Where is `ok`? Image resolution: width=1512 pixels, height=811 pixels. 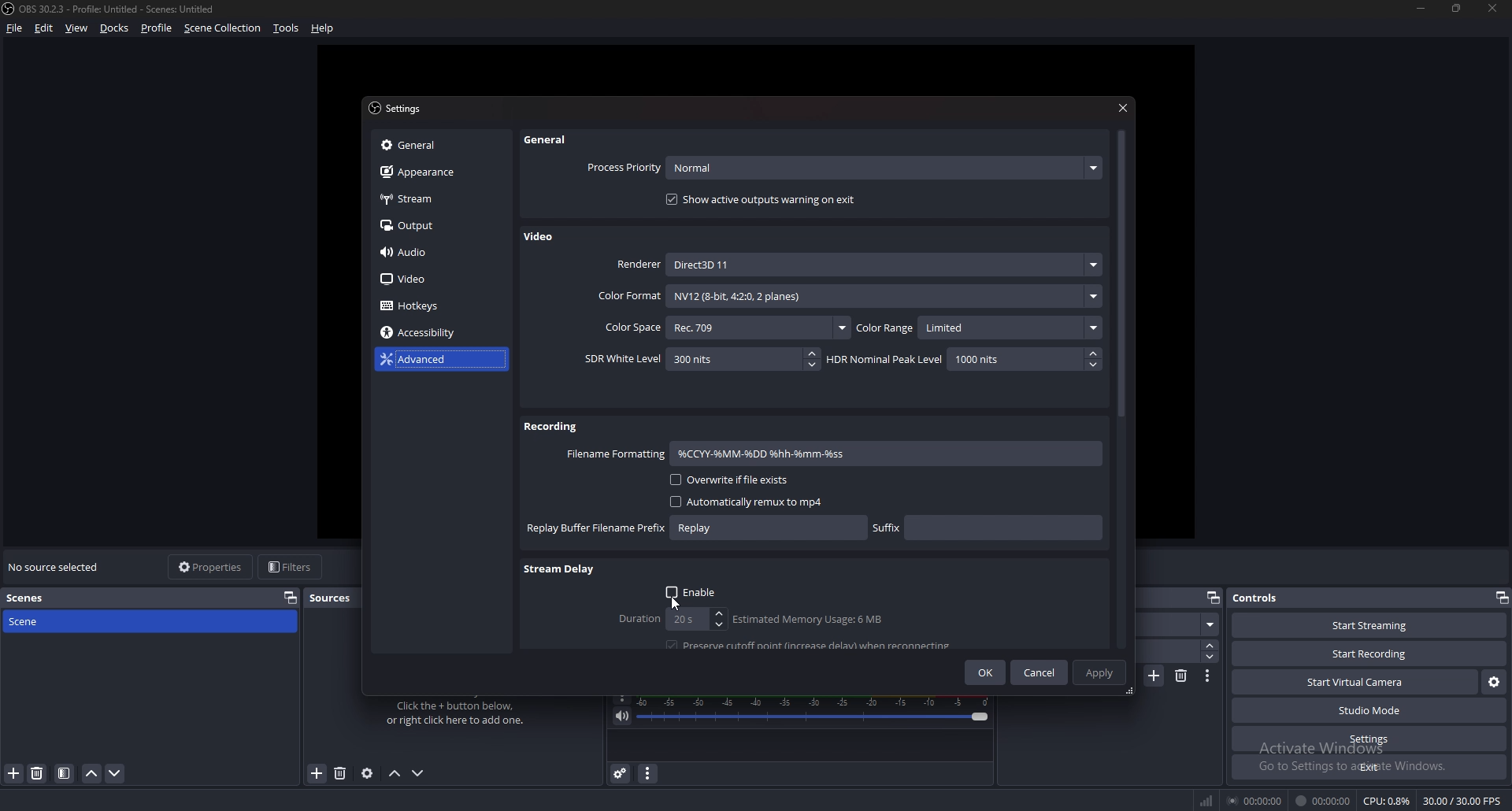
ok is located at coordinates (988, 672).